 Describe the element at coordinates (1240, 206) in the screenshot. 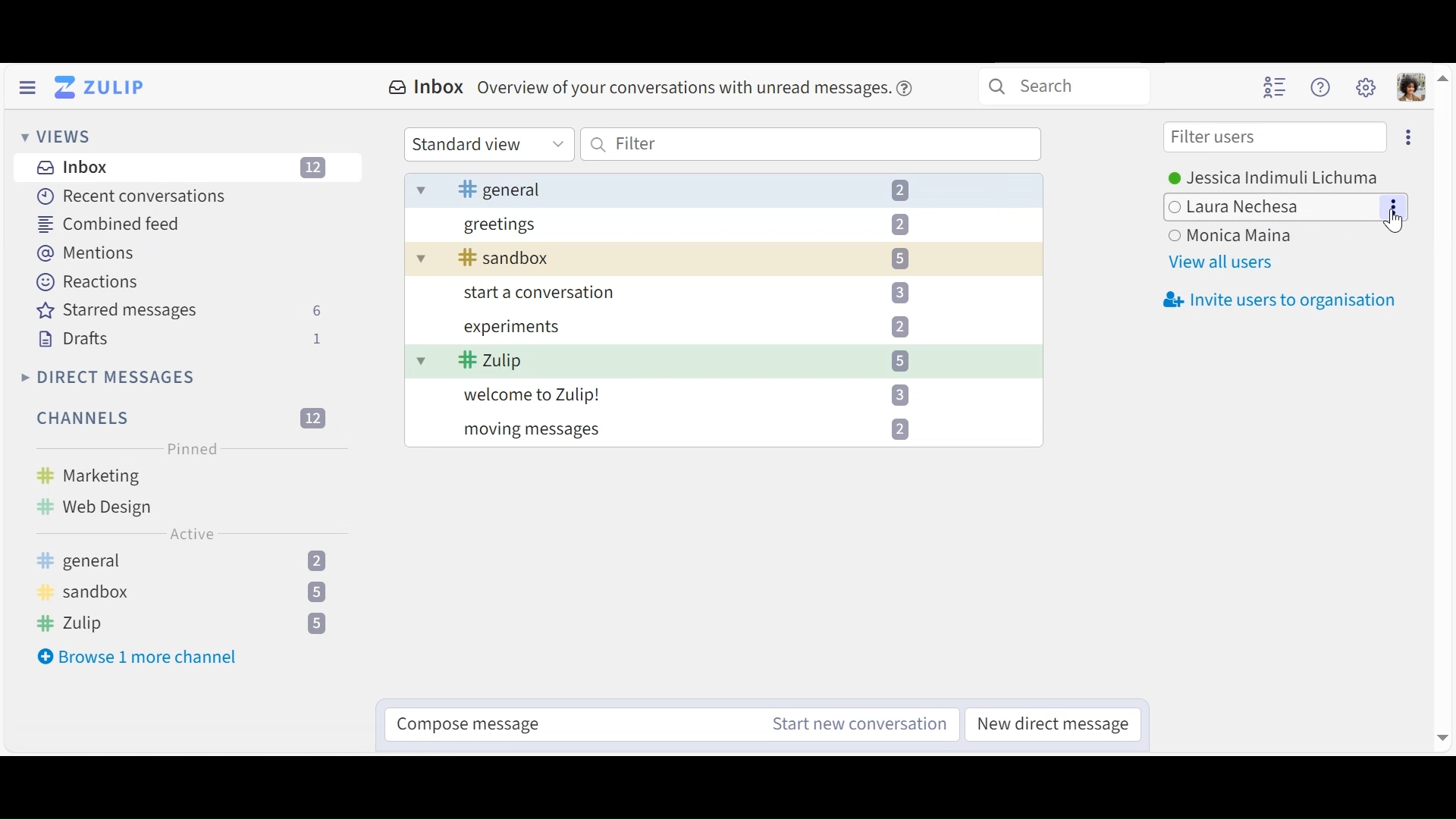

I see `user 2` at that location.